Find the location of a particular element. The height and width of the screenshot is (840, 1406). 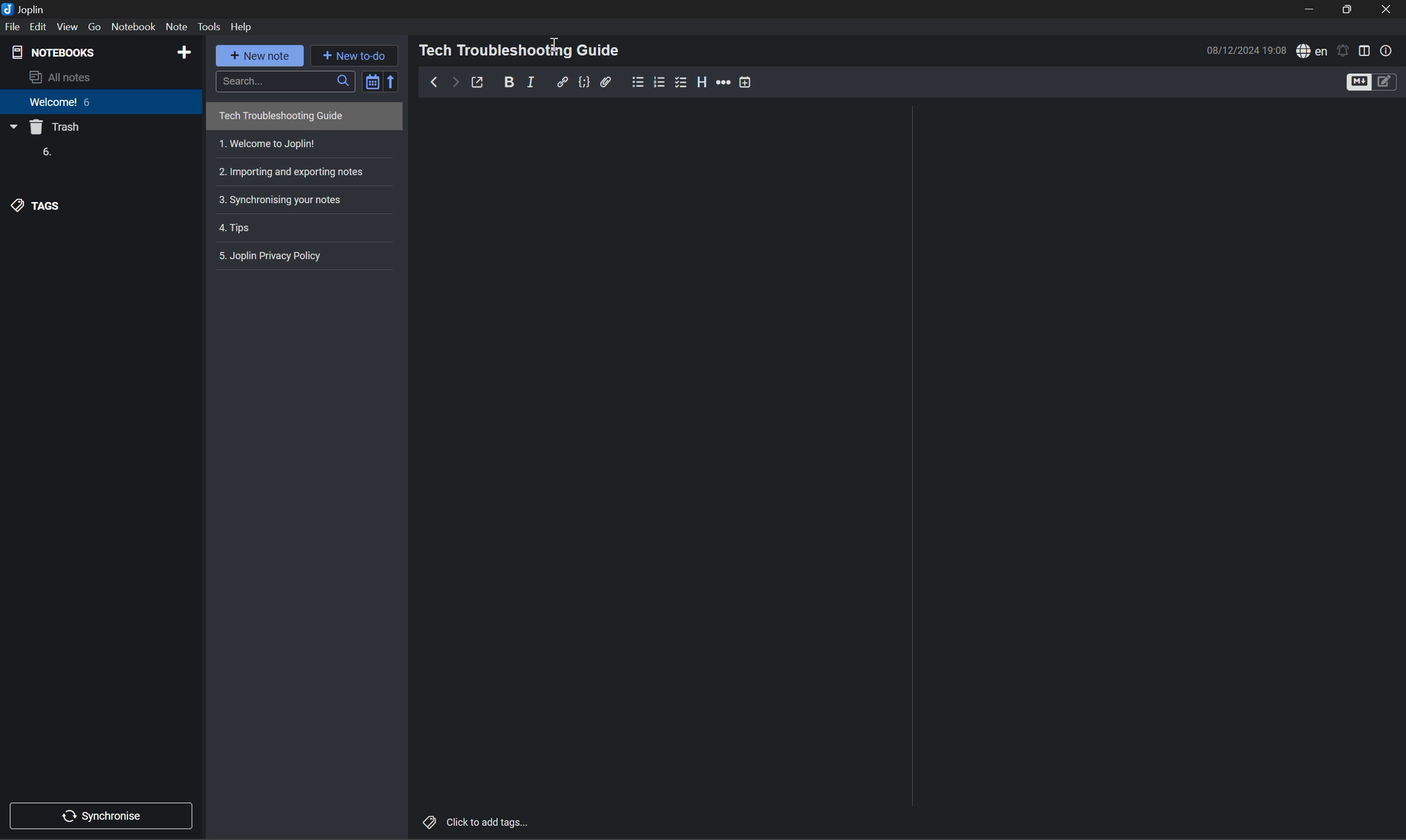

Note is located at coordinates (176, 27).